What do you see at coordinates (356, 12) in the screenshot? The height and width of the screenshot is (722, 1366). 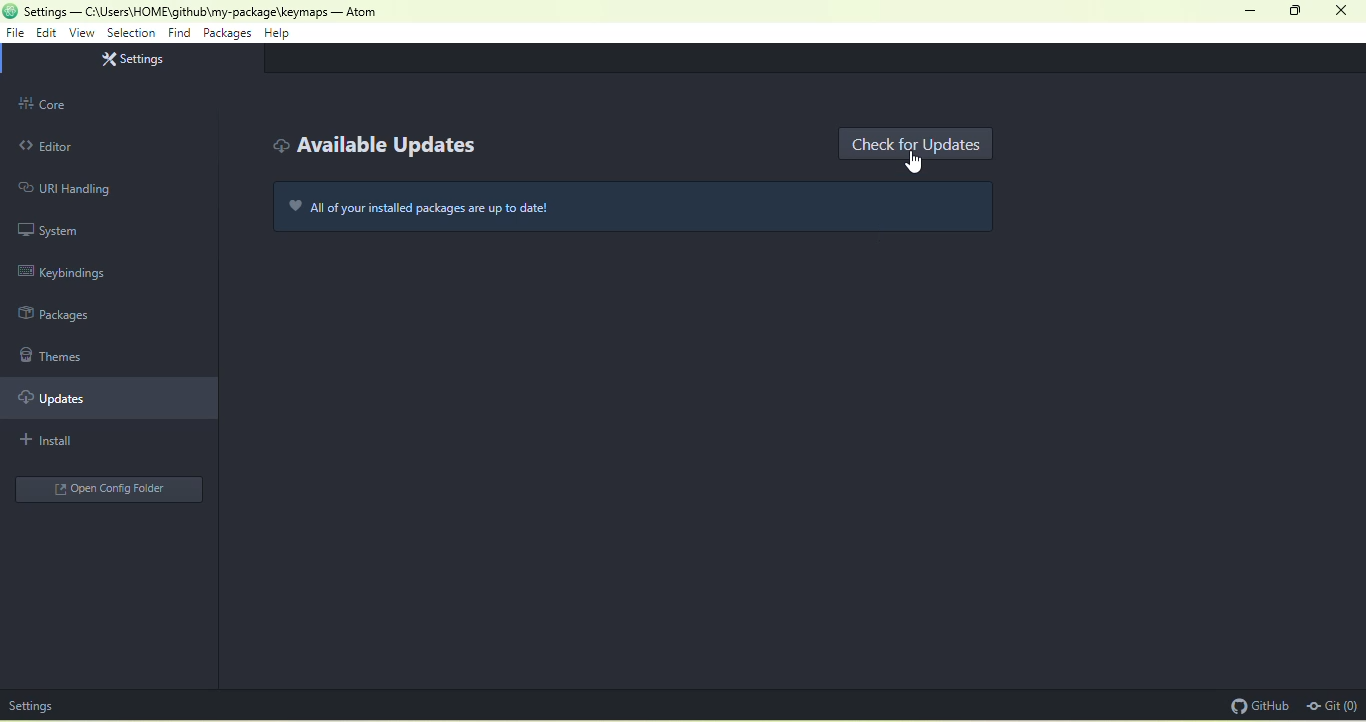 I see `- Atom` at bounding box center [356, 12].